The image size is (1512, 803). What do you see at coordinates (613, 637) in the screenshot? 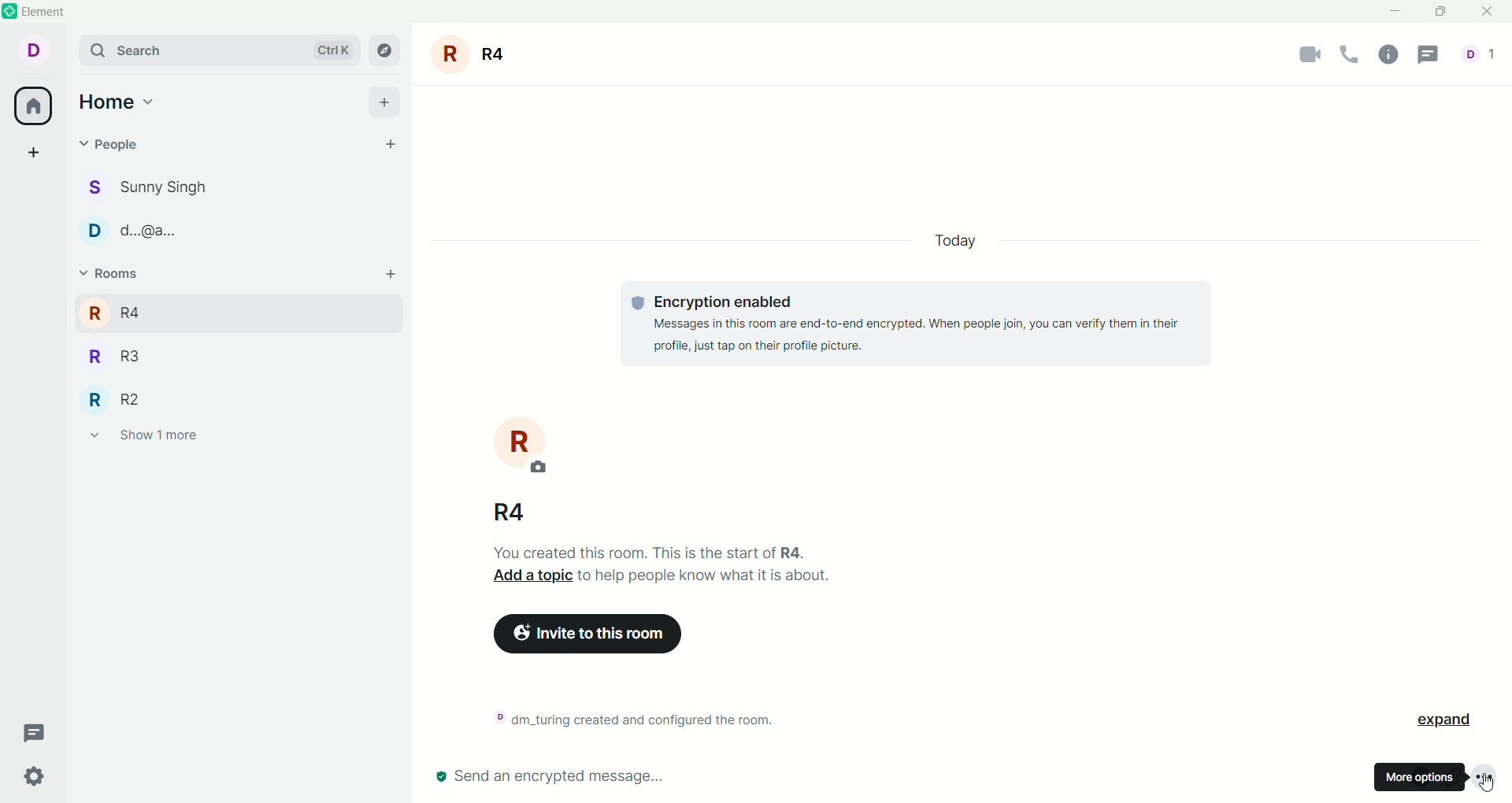
I see `invite to this room` at bounding box center [613, 637].